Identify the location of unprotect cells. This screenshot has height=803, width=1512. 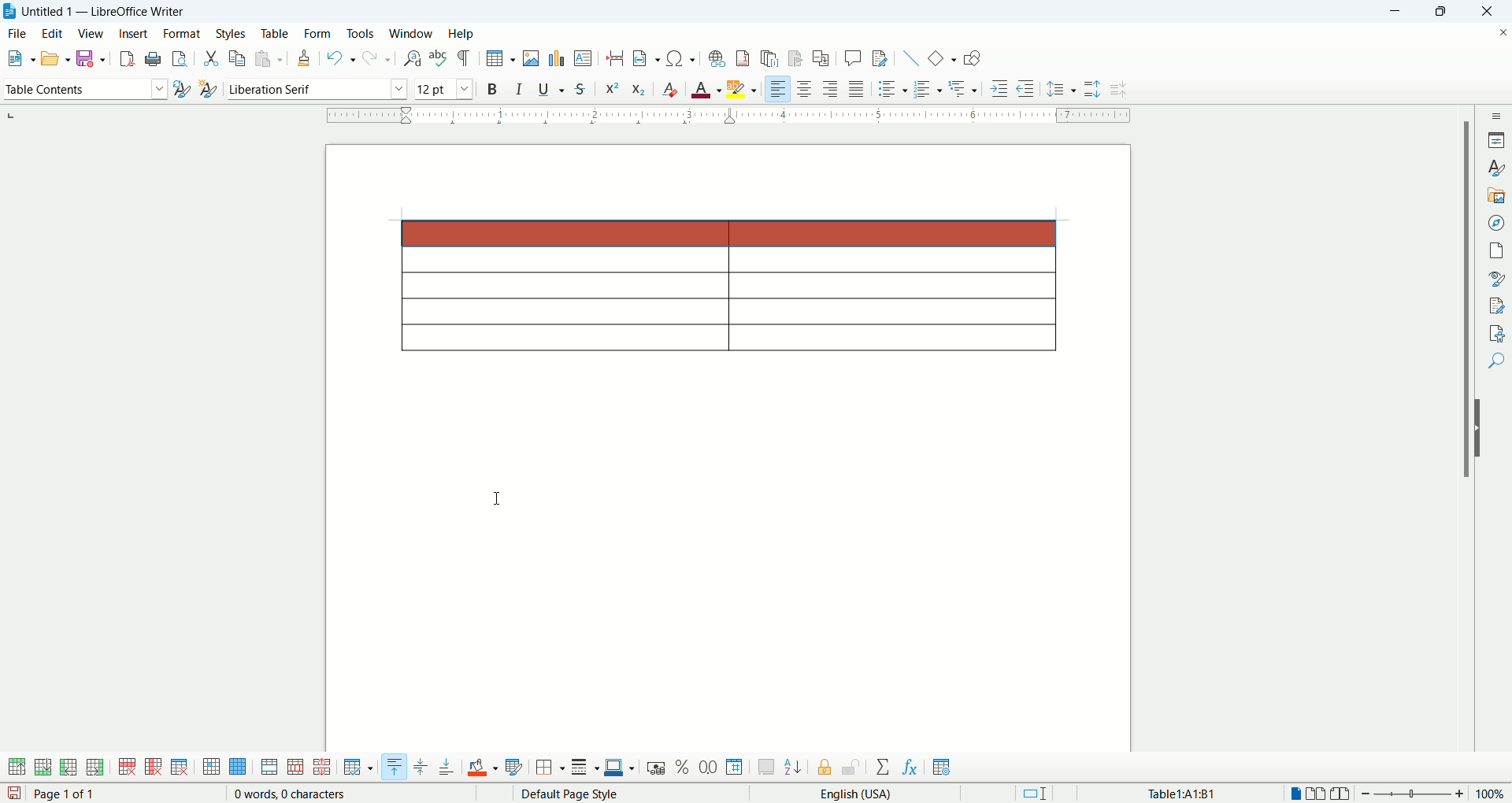
(850, 768).